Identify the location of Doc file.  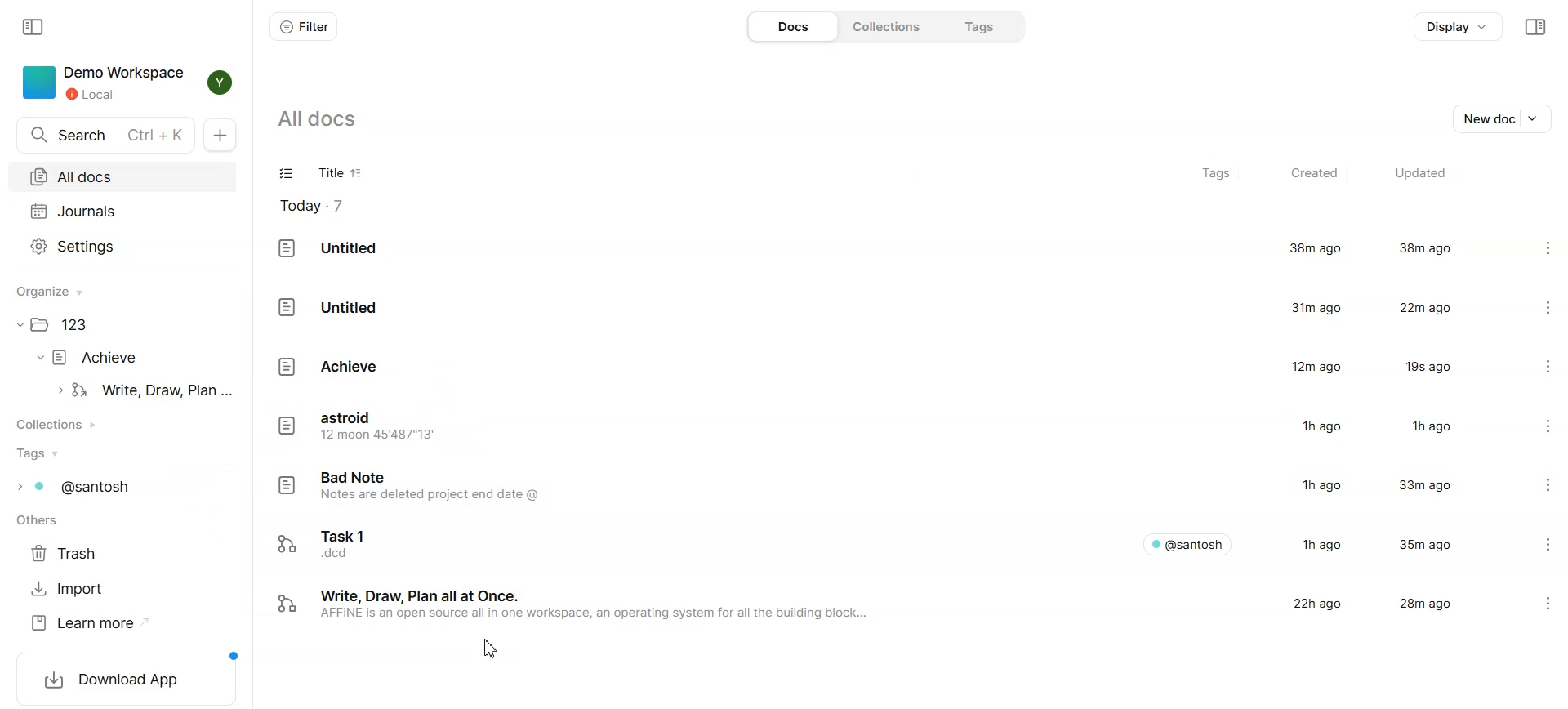
(145, 390).